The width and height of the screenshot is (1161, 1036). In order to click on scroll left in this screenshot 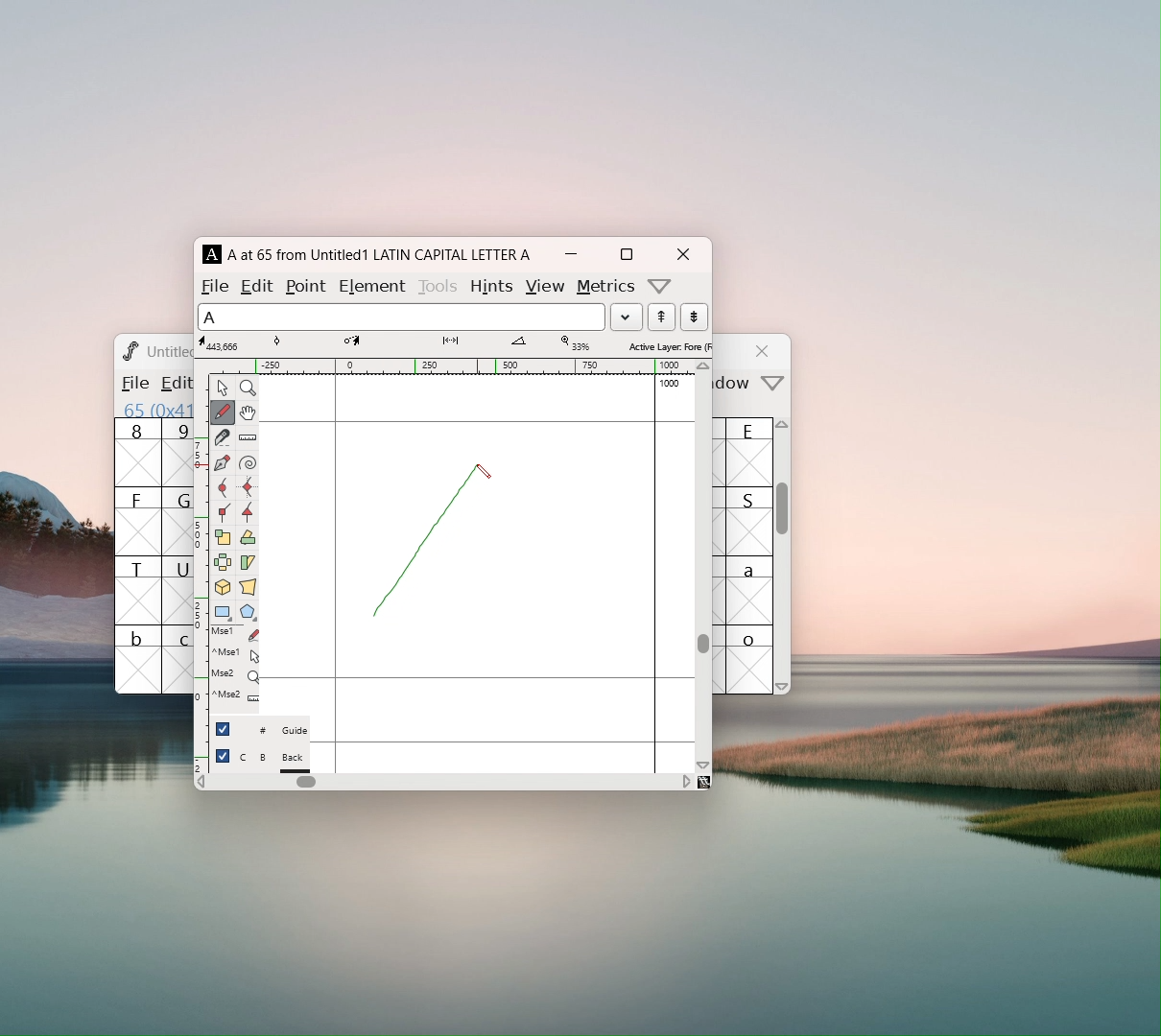, I will do `click(201, 784)`.